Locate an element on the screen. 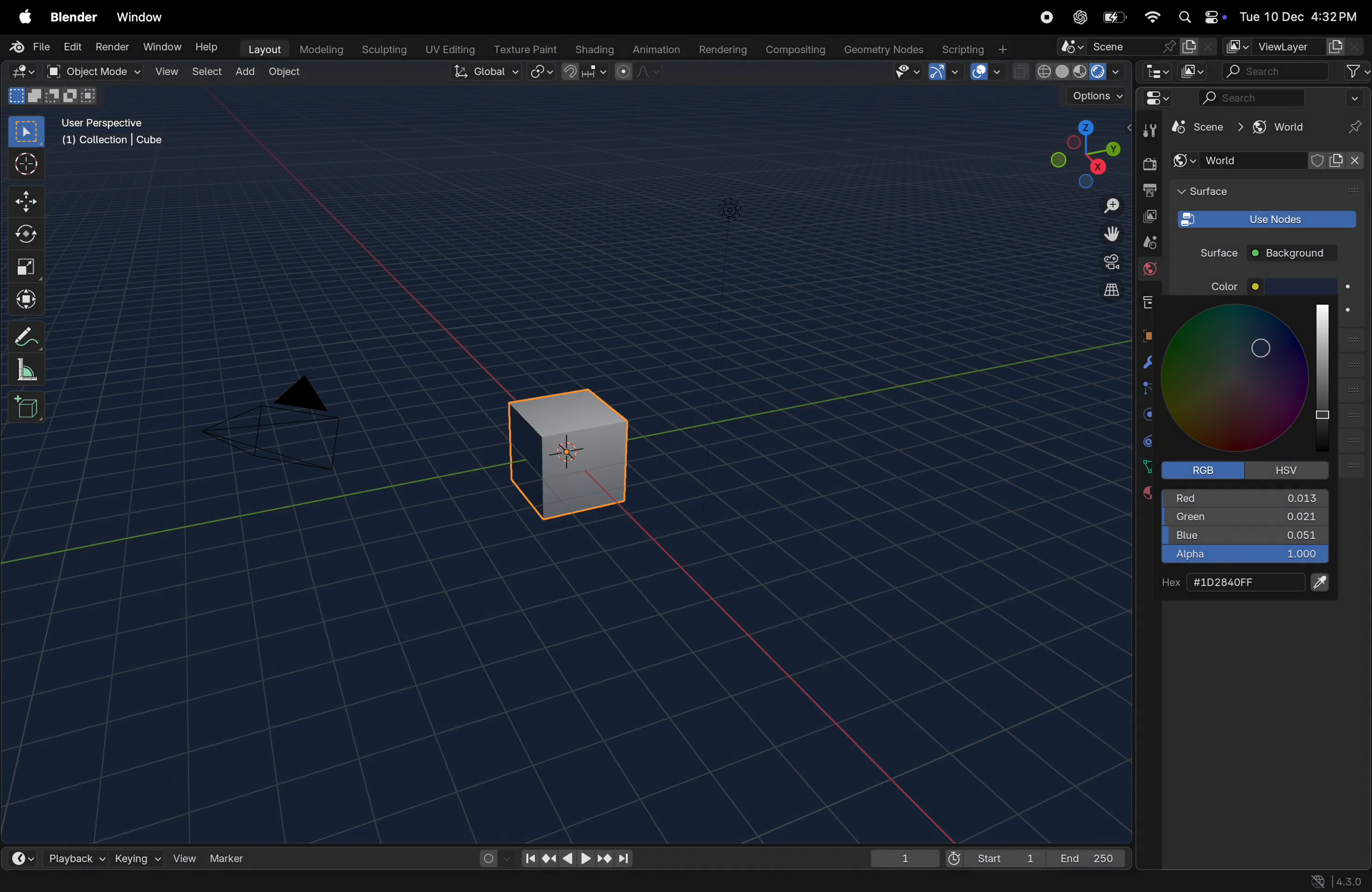  search is located at coordinates (1296, 71).